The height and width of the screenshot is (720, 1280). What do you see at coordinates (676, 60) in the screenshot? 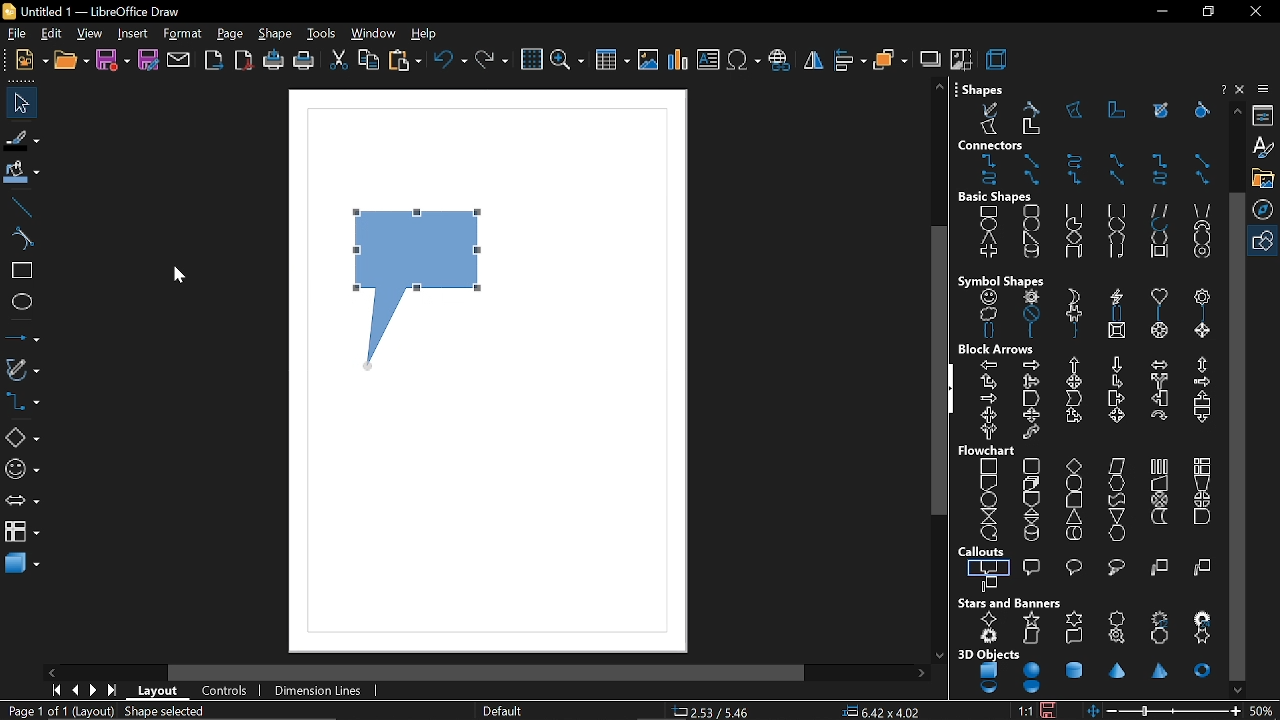
I see `insert chart` at bounding box center [676, 60].